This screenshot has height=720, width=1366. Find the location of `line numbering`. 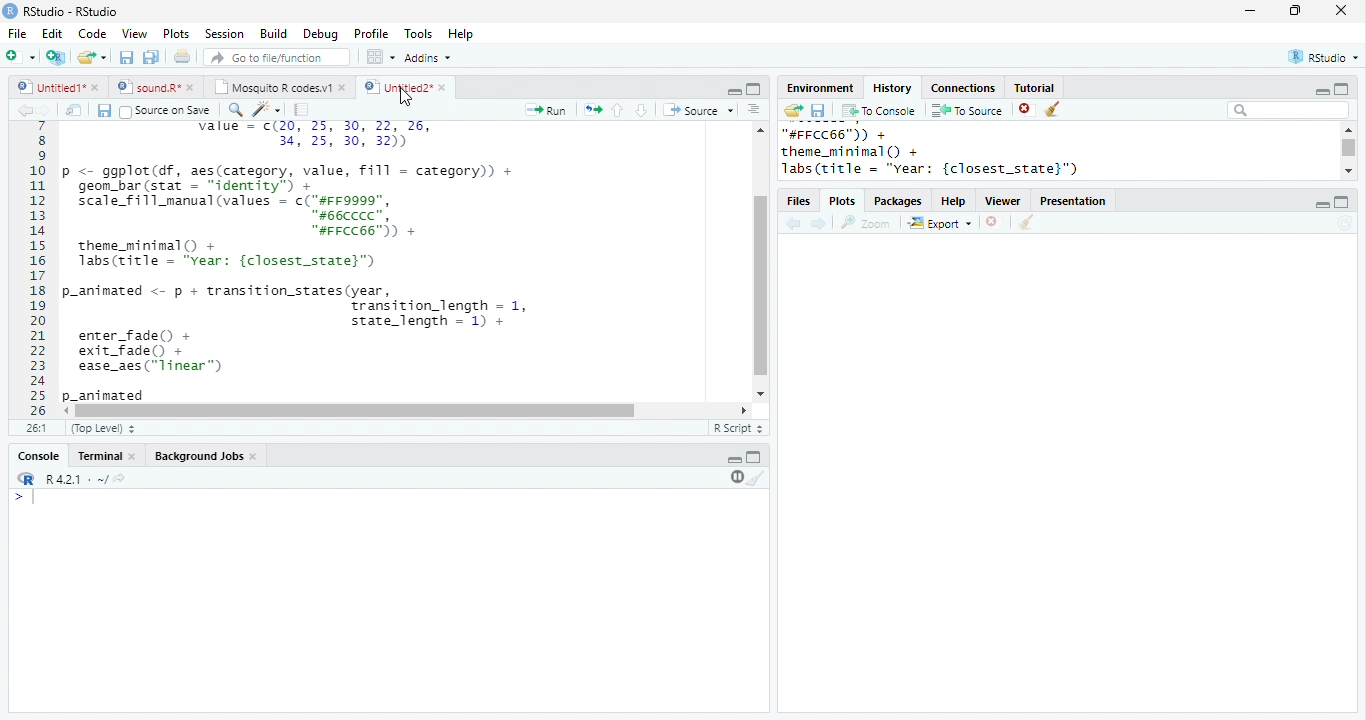

line numbering is located at coordinates (37, 271).